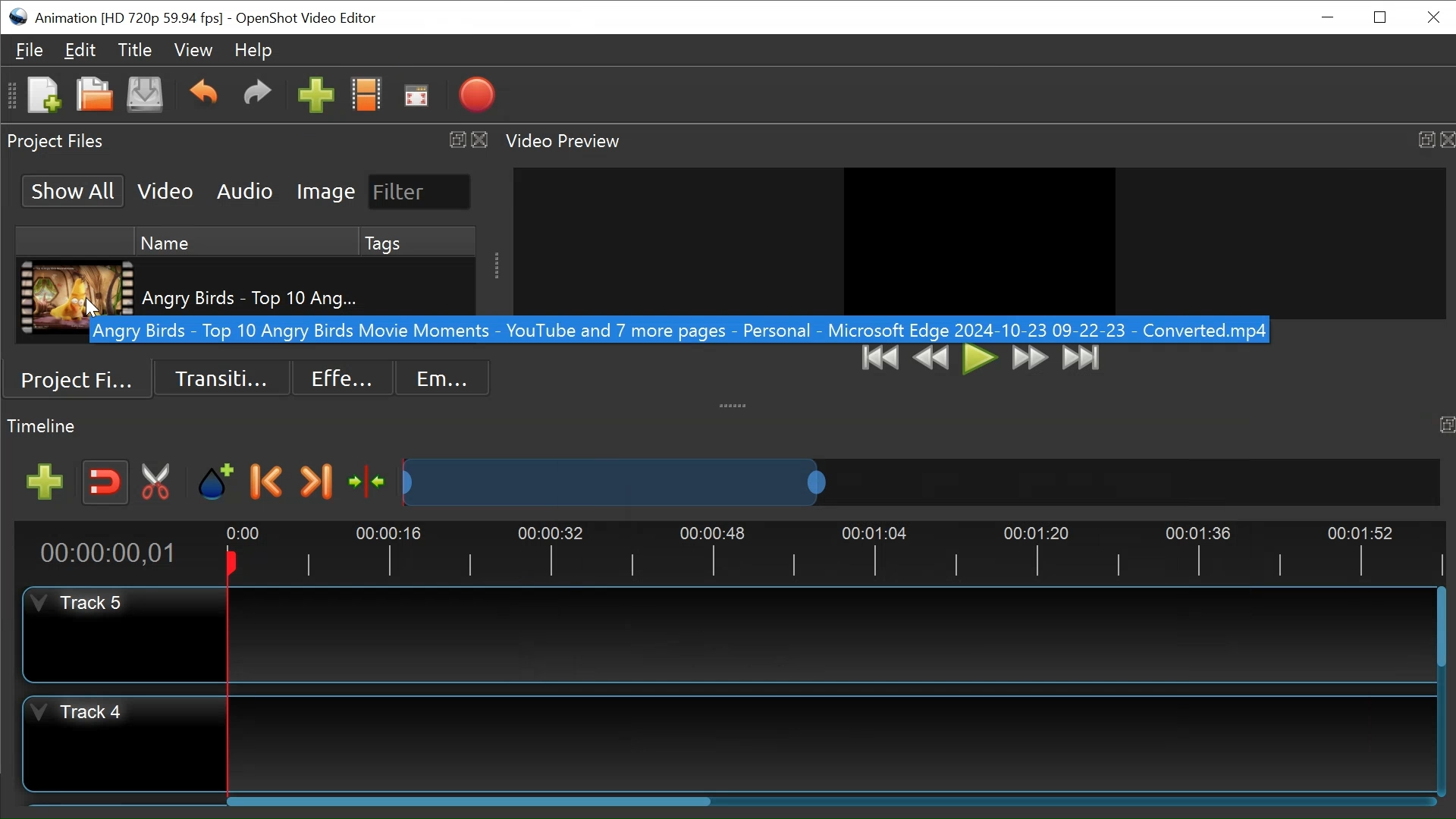 The width and height of the screenshot is (1456, 819). I want to click on Add Track, so click(45, 482).